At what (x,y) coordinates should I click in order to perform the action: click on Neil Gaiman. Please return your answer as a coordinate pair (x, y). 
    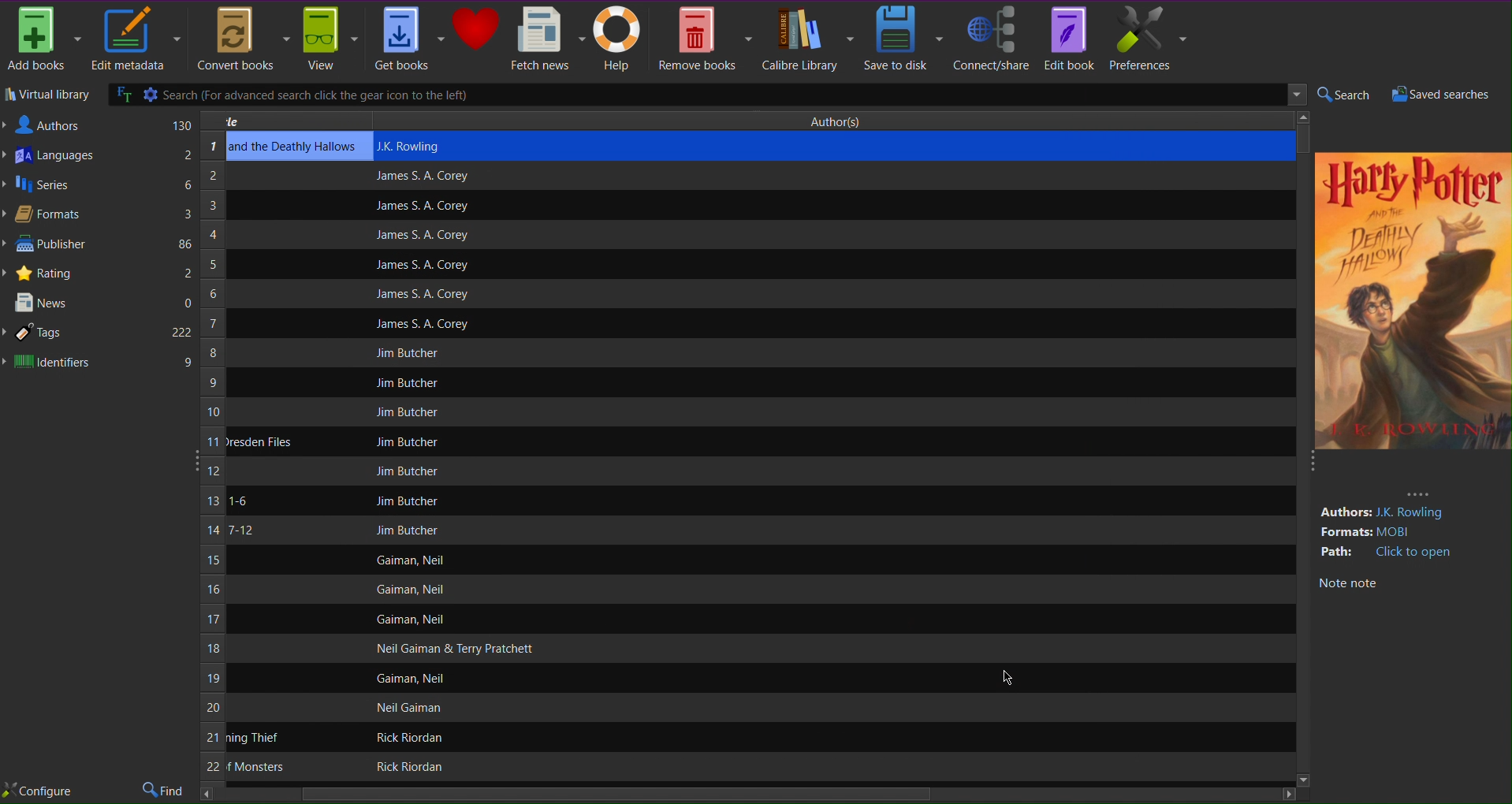
    Looking at the image, I should click on (412, 708).